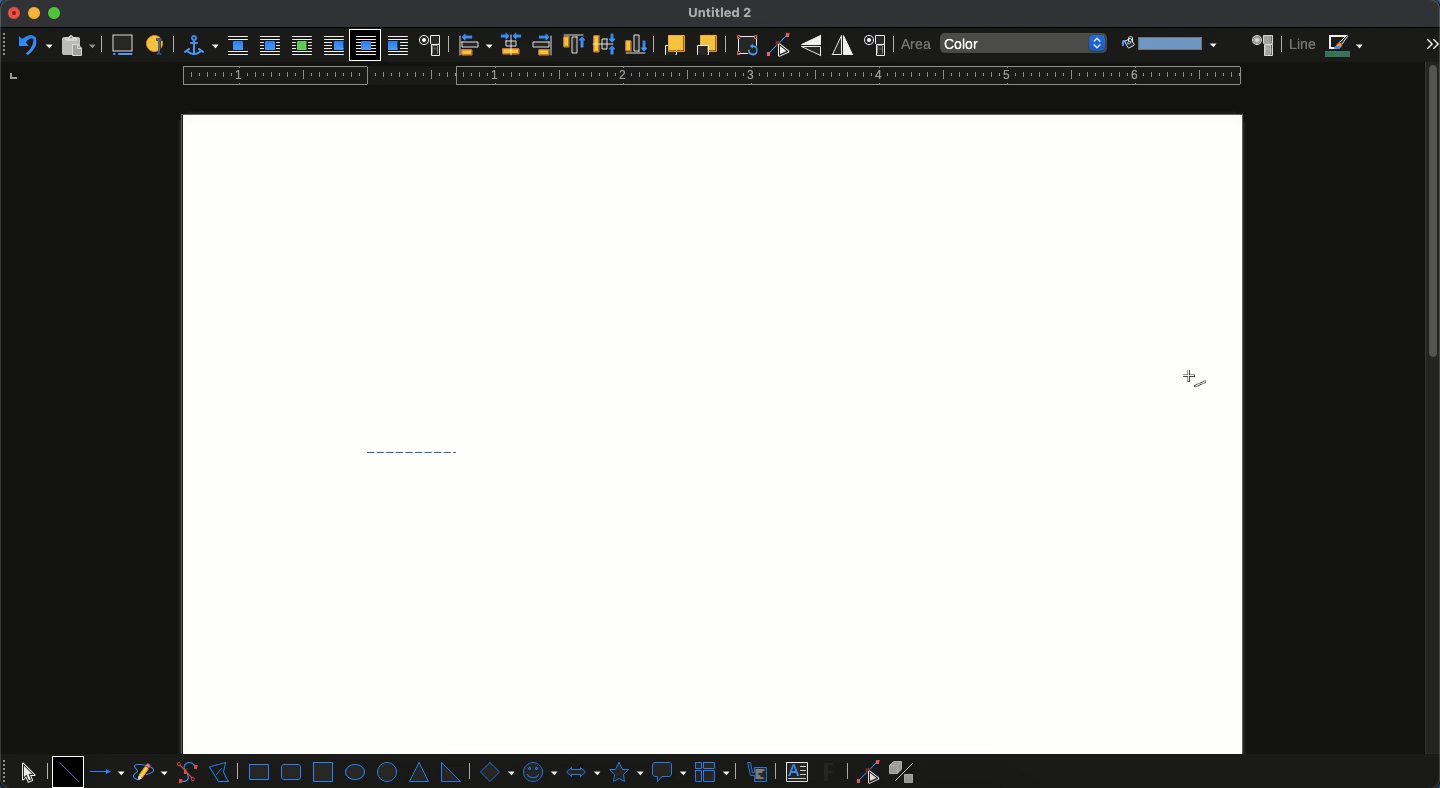  Describe the element at coordinates (1431, 43) in the screenshot. I see `expand` at that location.